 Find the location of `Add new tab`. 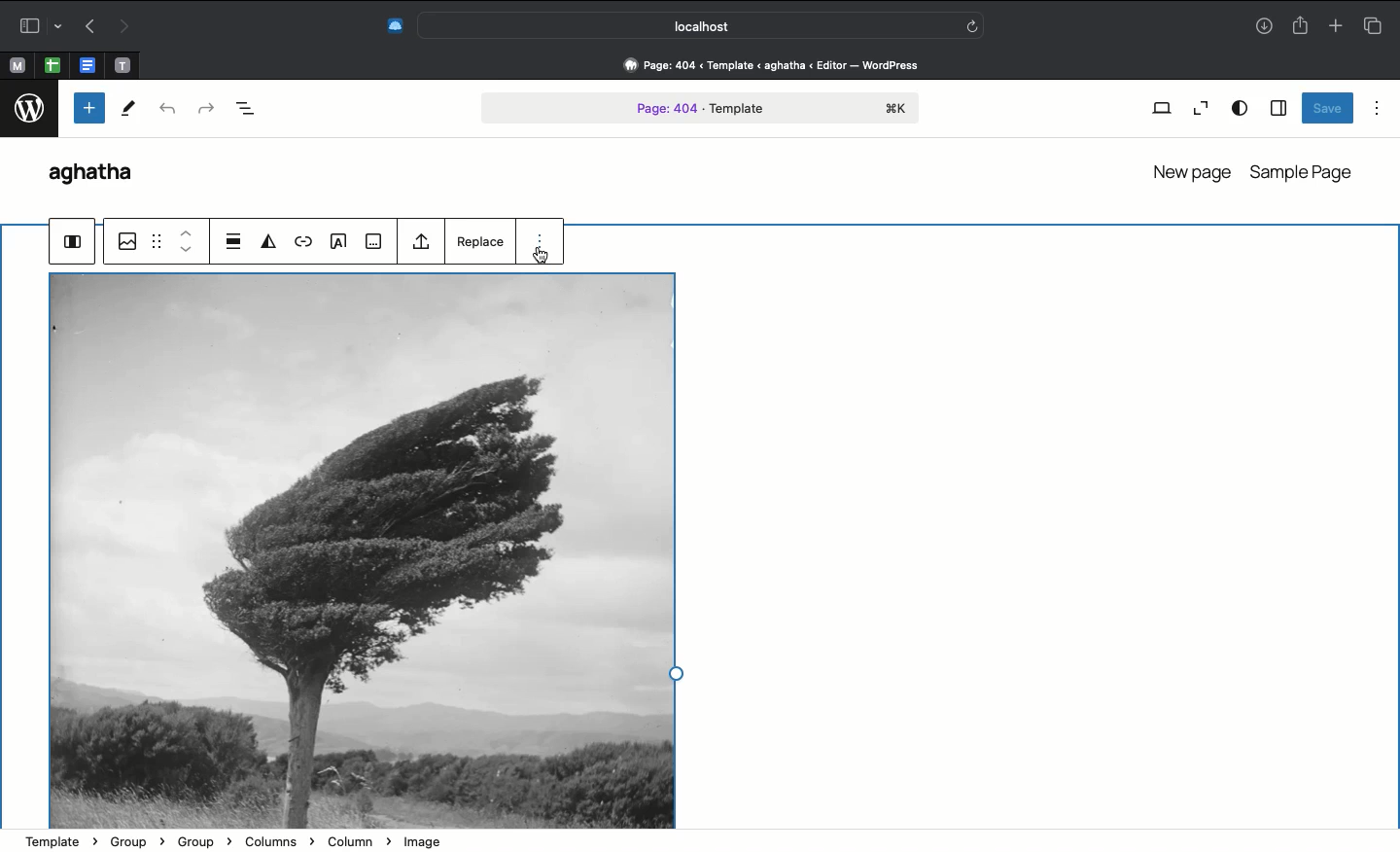

Add new tab is located at coordinates (1335, 22).